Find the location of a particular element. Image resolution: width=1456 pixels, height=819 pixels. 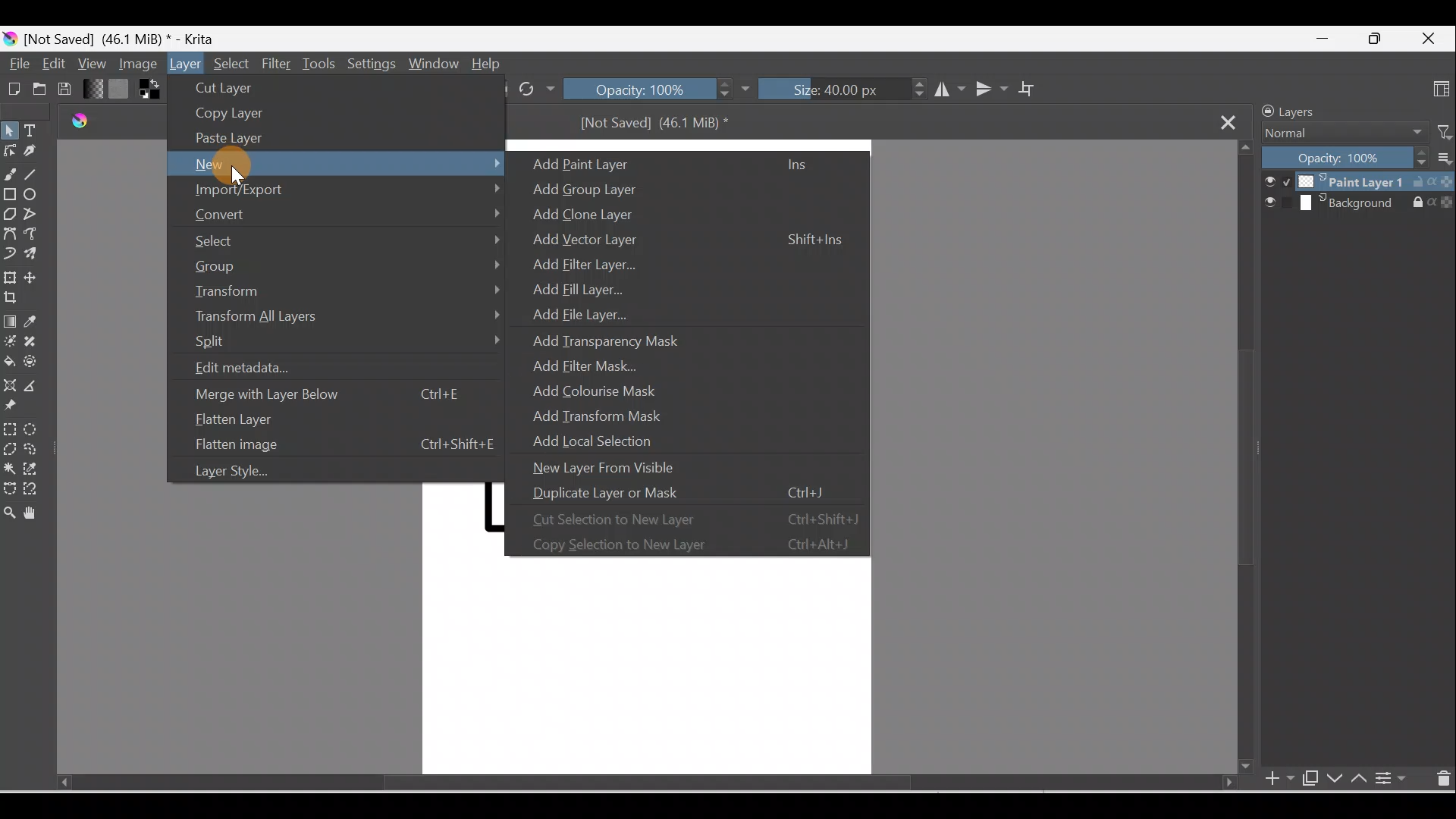

Merge with layer below  Ctrl+E is located at coordinates (331, 394).